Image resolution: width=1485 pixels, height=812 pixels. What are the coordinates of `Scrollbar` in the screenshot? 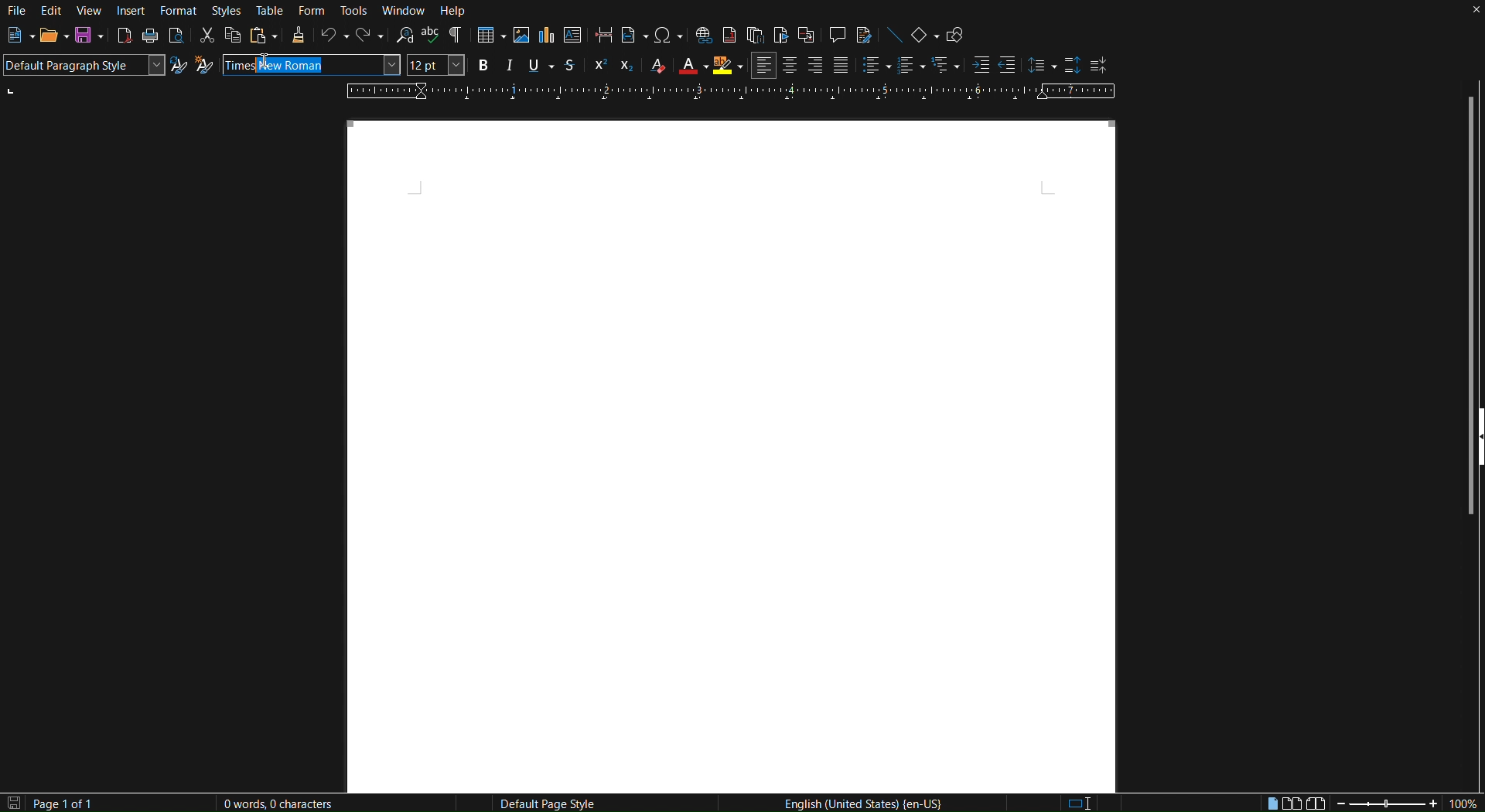 It's located at (1472, 239).